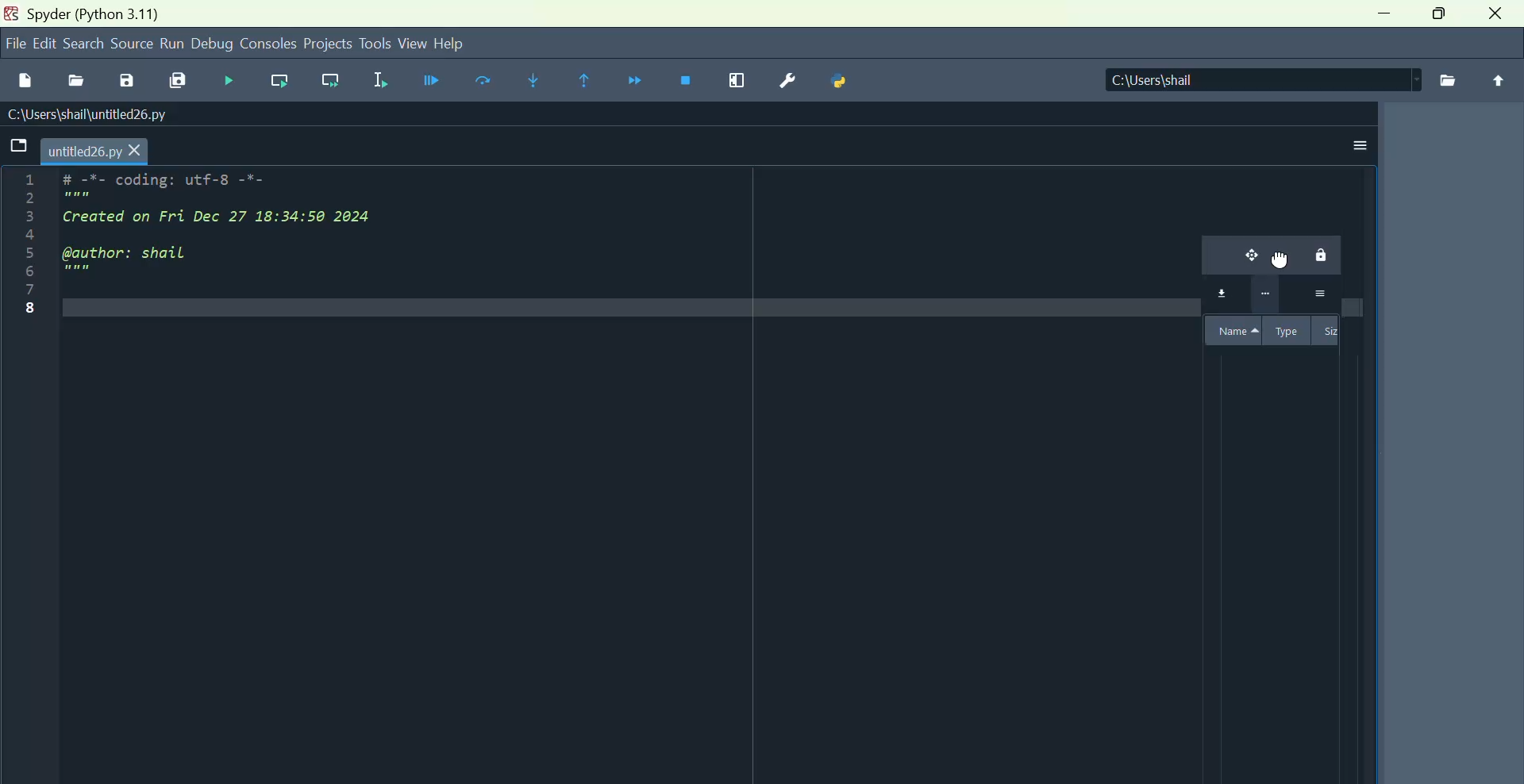  I want to click on More options, so click(1356, 140).